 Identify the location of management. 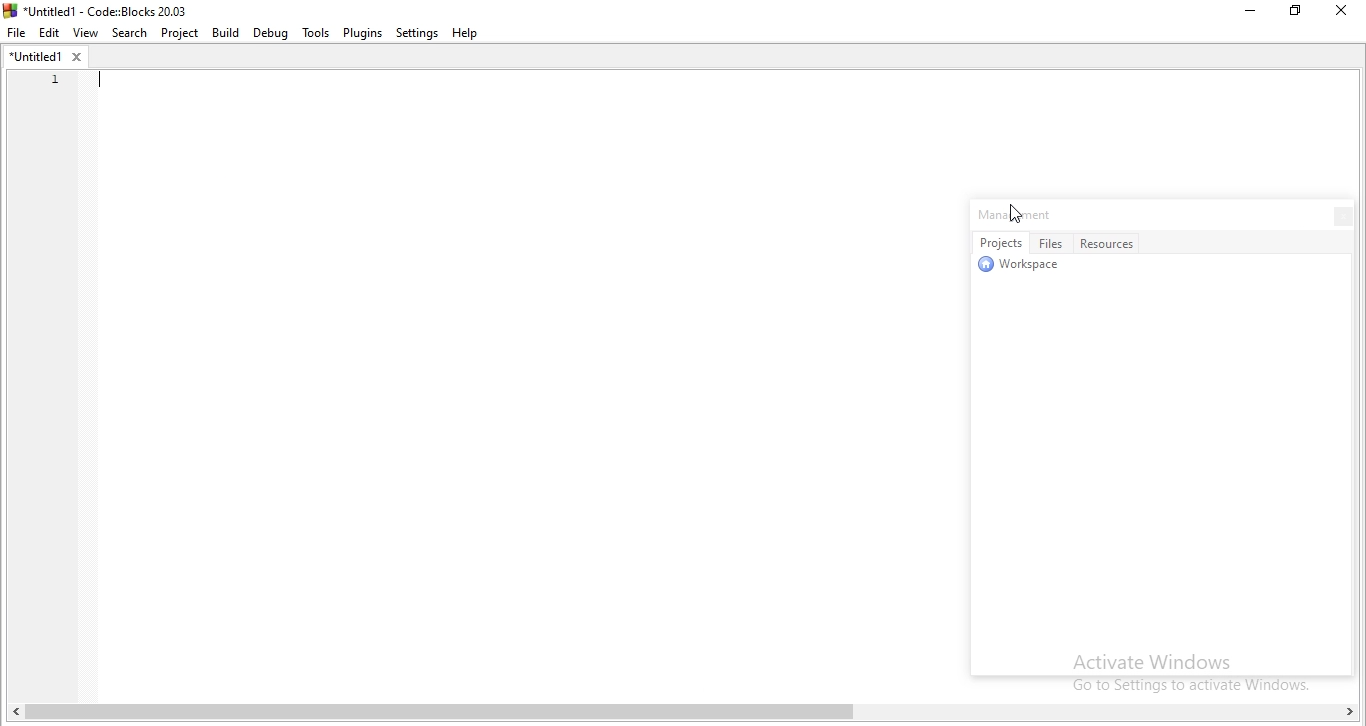
(1026, 215).